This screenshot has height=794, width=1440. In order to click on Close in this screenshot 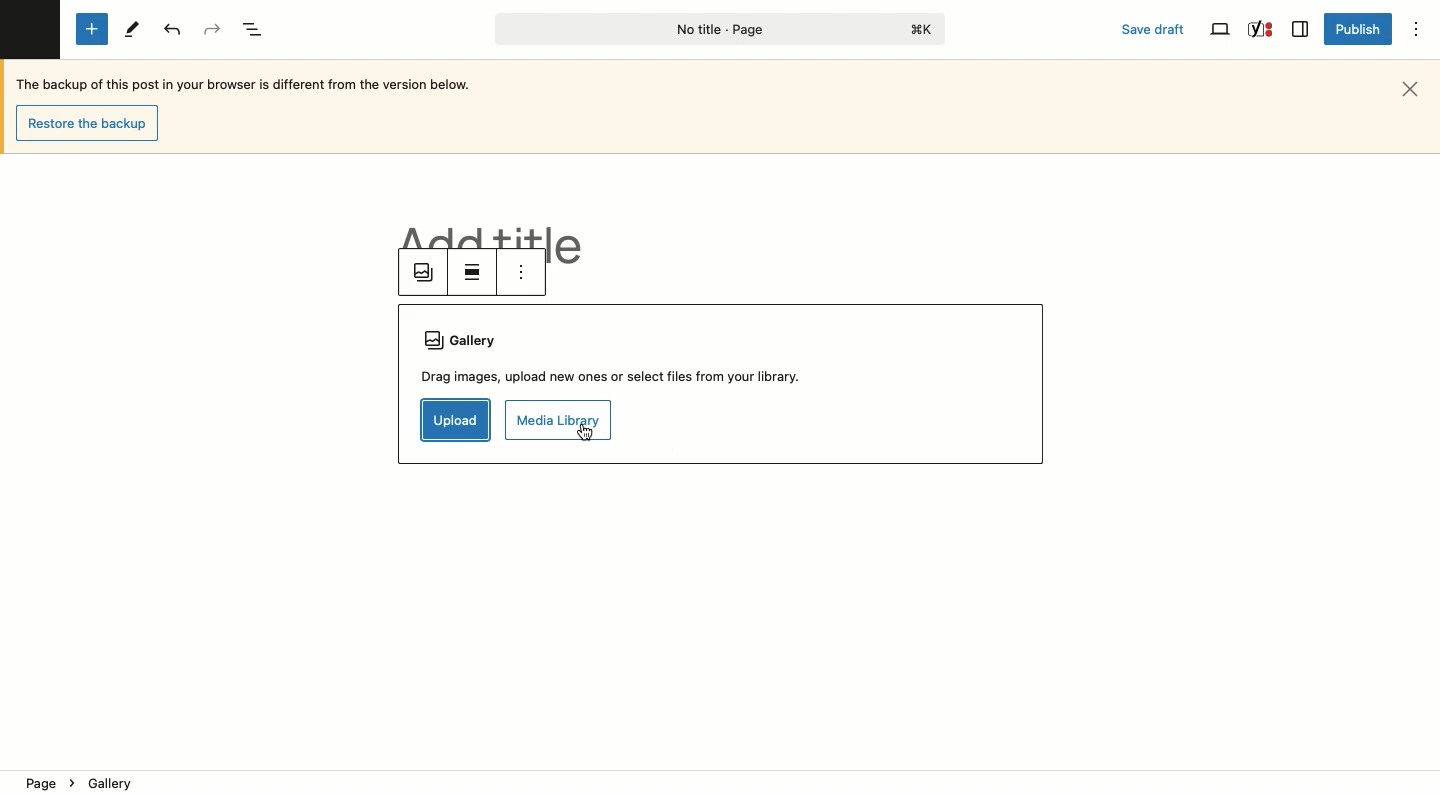, I will do `click(1417, 88)`.